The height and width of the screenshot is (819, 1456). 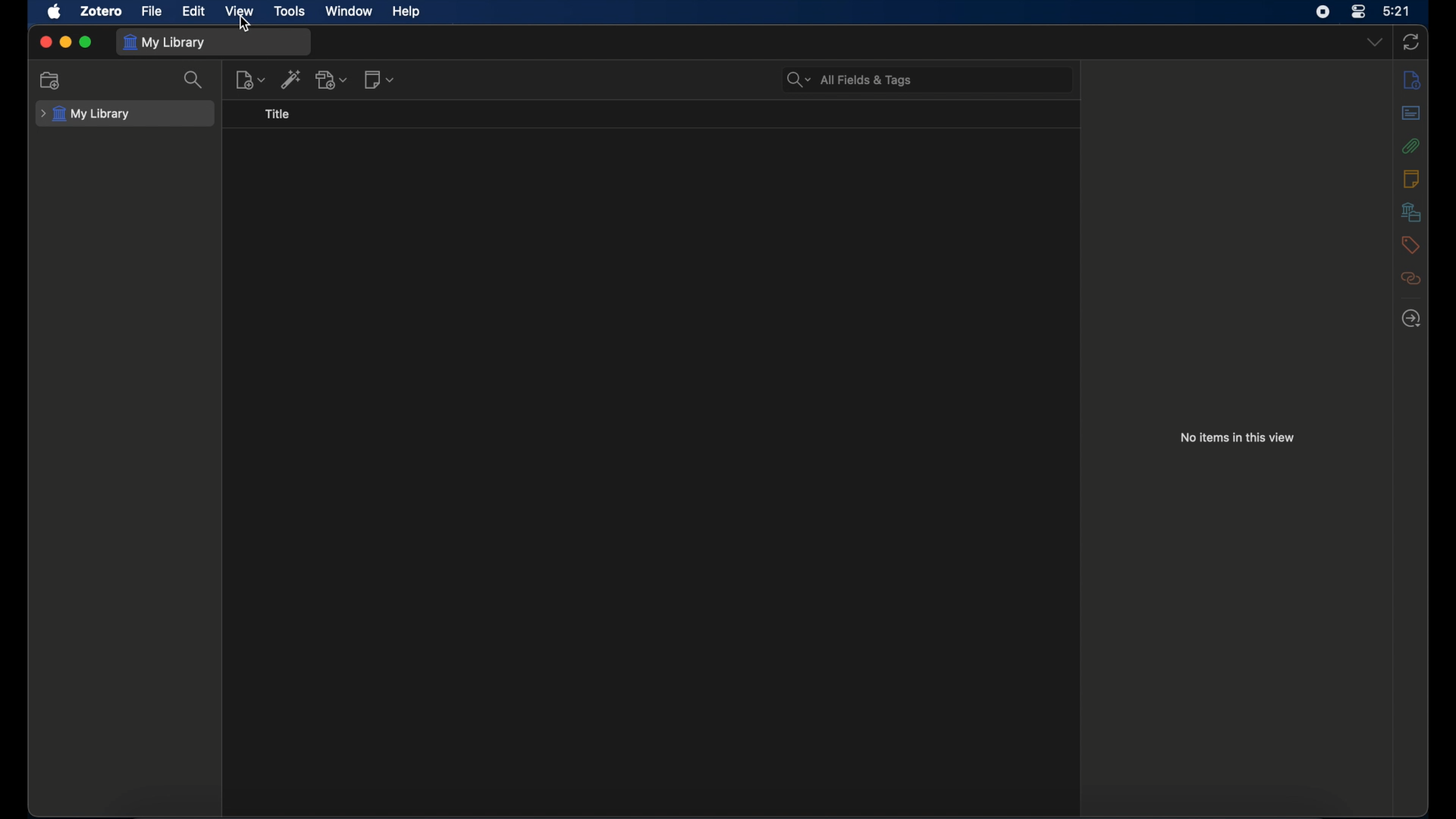 I want to click on my library, so click(x=164, y=42).